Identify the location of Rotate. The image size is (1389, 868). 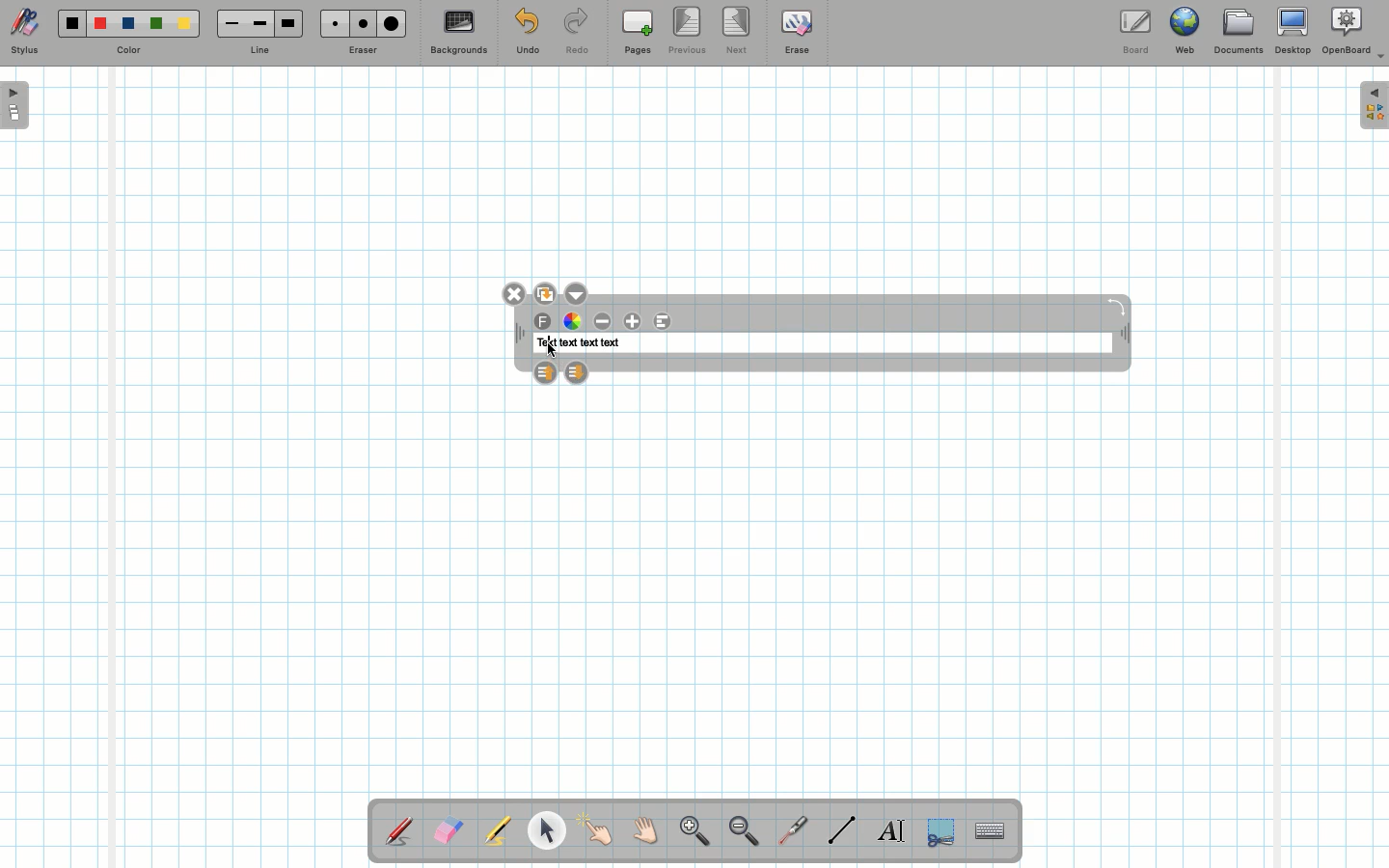
(1116, 306).